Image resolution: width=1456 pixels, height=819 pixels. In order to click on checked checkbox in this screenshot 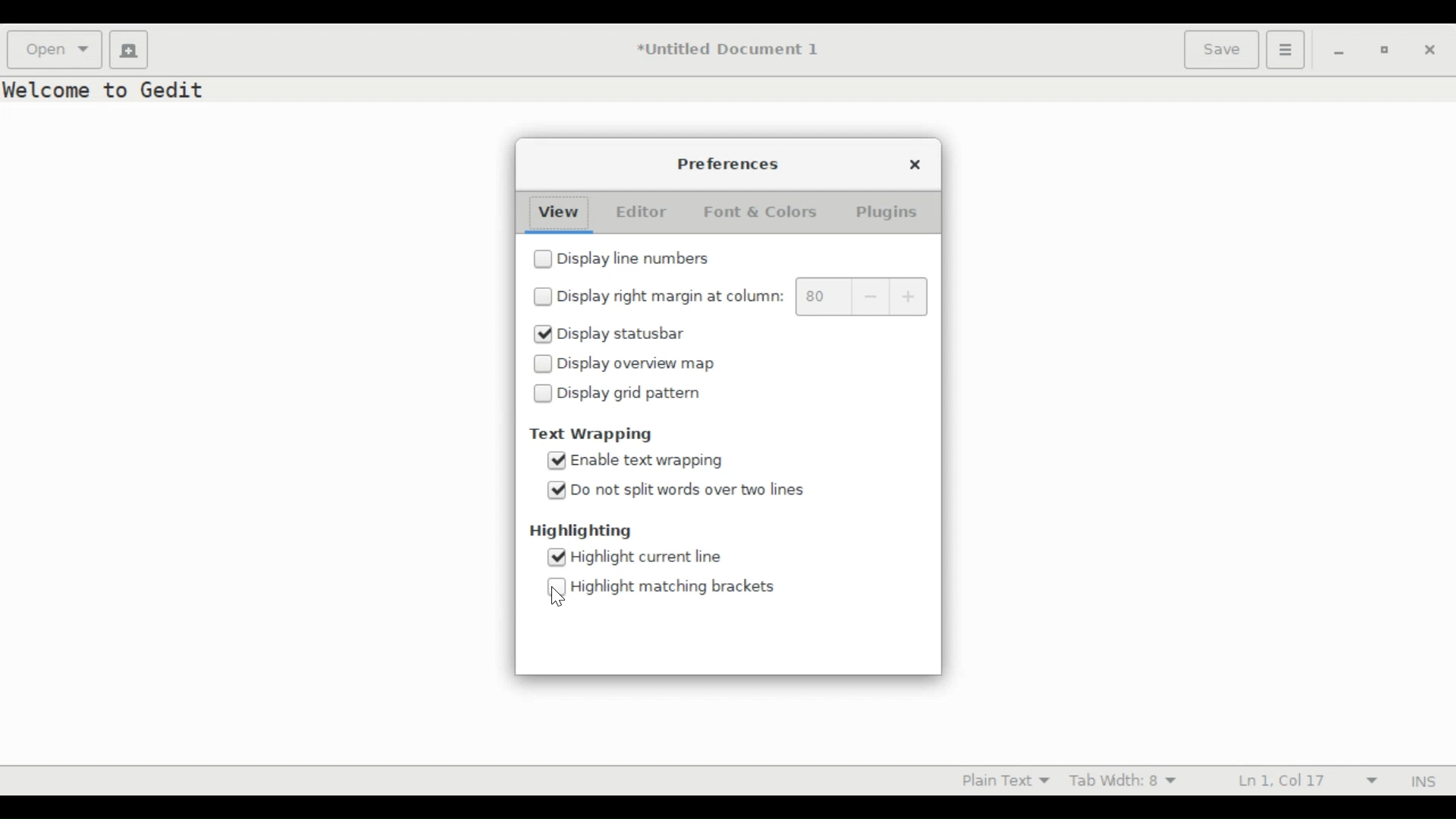, I will do `click(558, 459)`.